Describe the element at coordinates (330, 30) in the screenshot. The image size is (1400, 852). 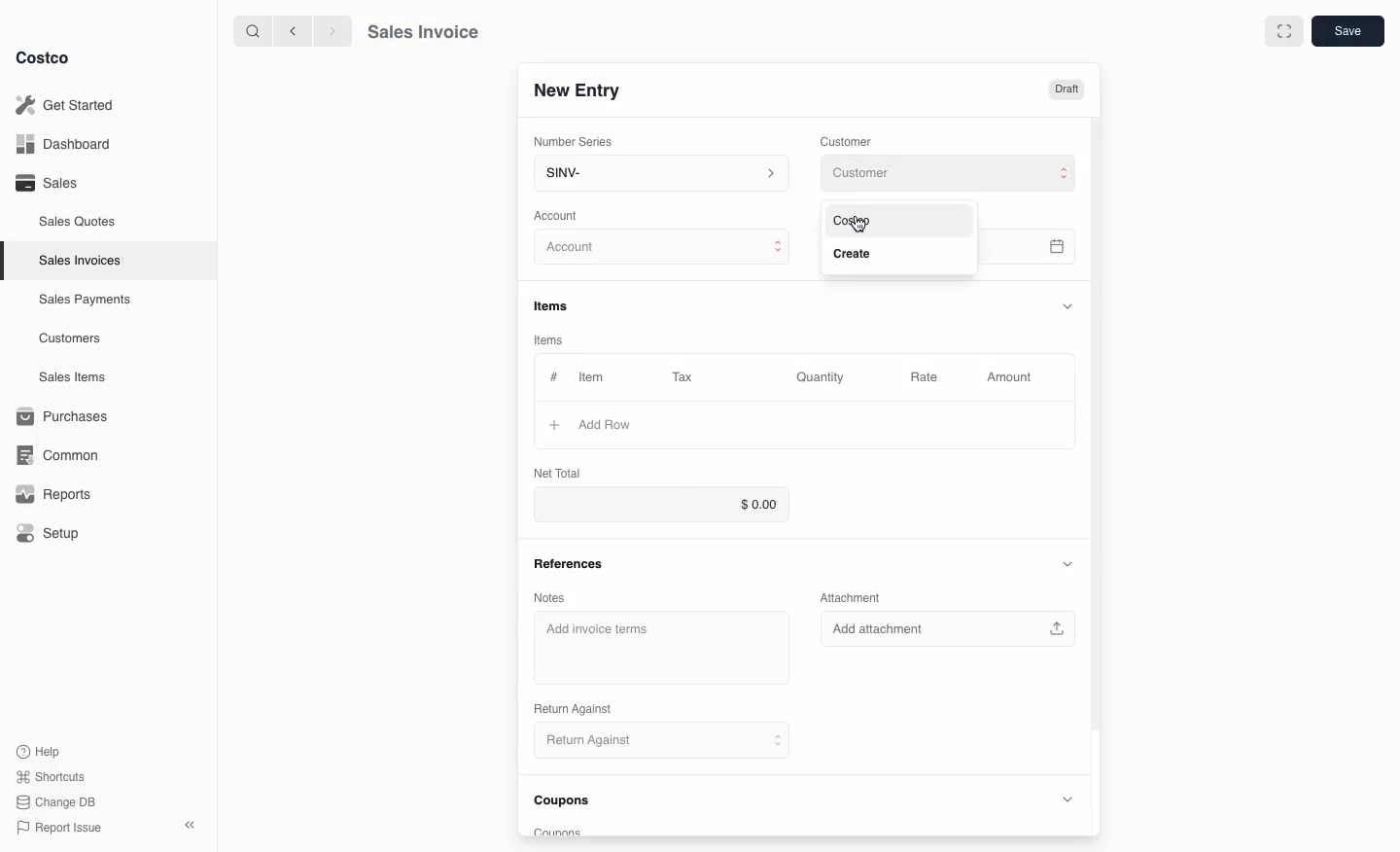
I see `forward` at that location.